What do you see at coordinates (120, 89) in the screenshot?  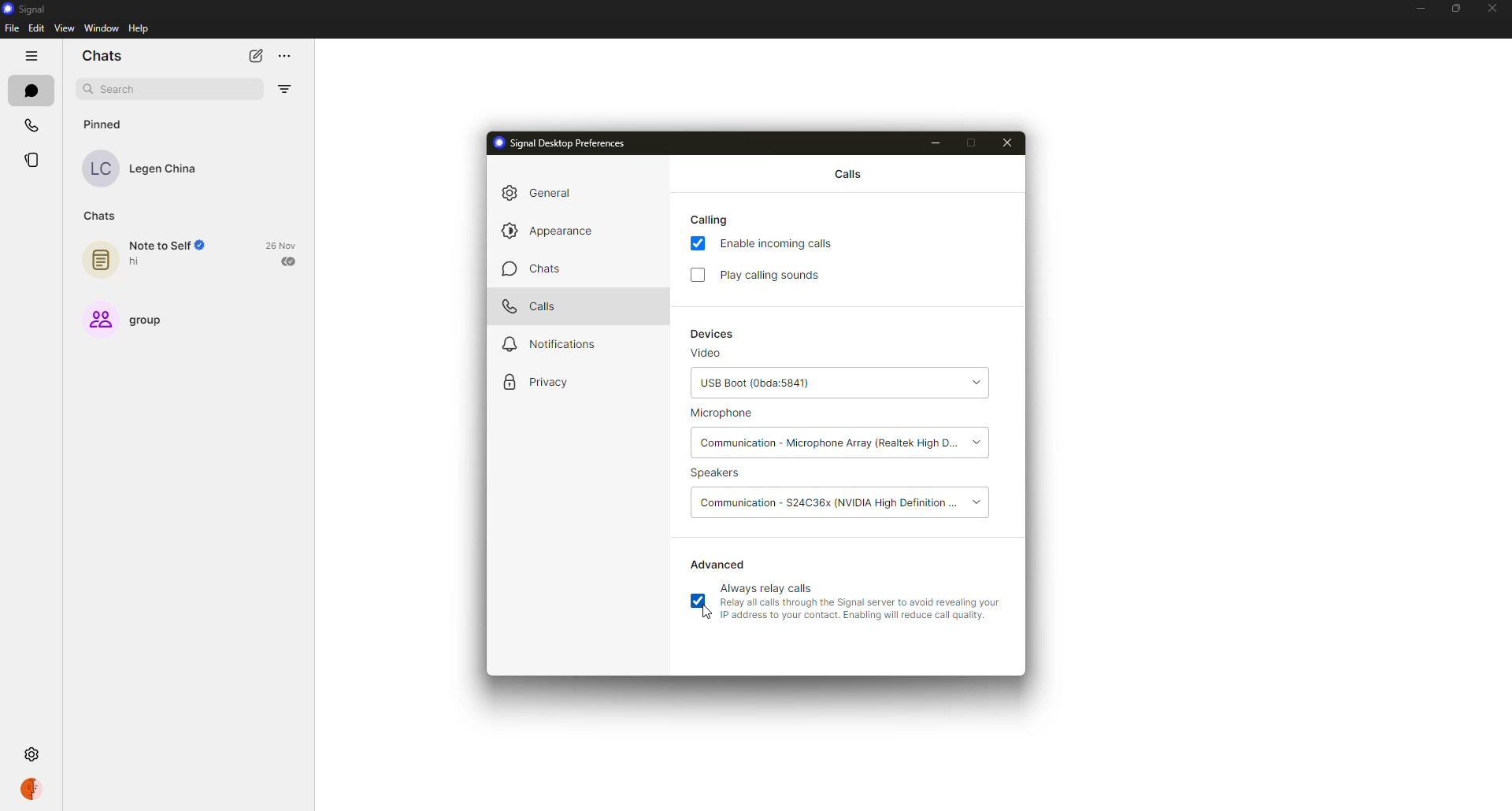 I see `search` at bounding box center [120, 89].